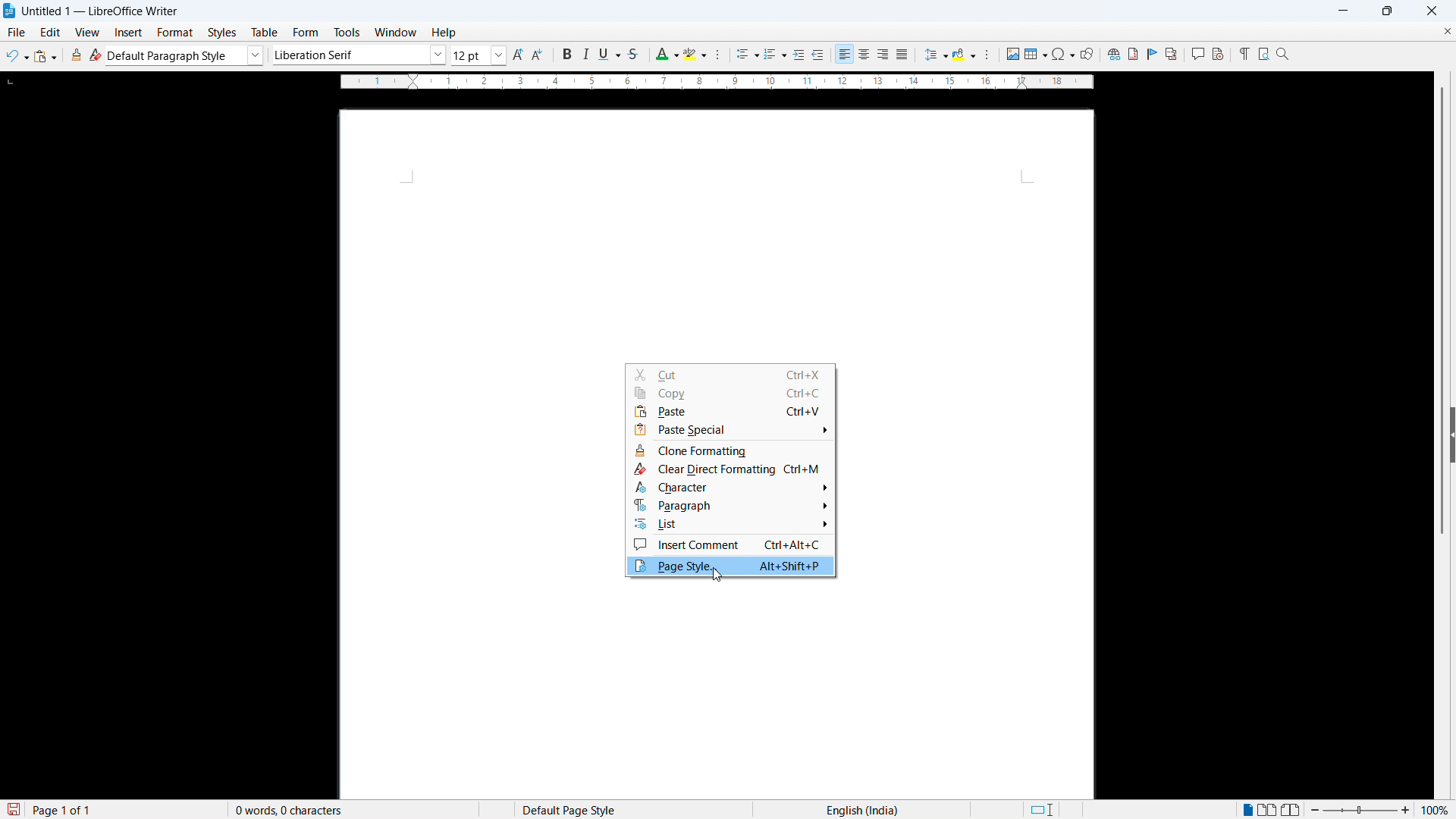 This screenshot has width=1456, height=819. Describe the element at coordinates (799, 55) in the screenshot. I see `Increase indent ` at that location.